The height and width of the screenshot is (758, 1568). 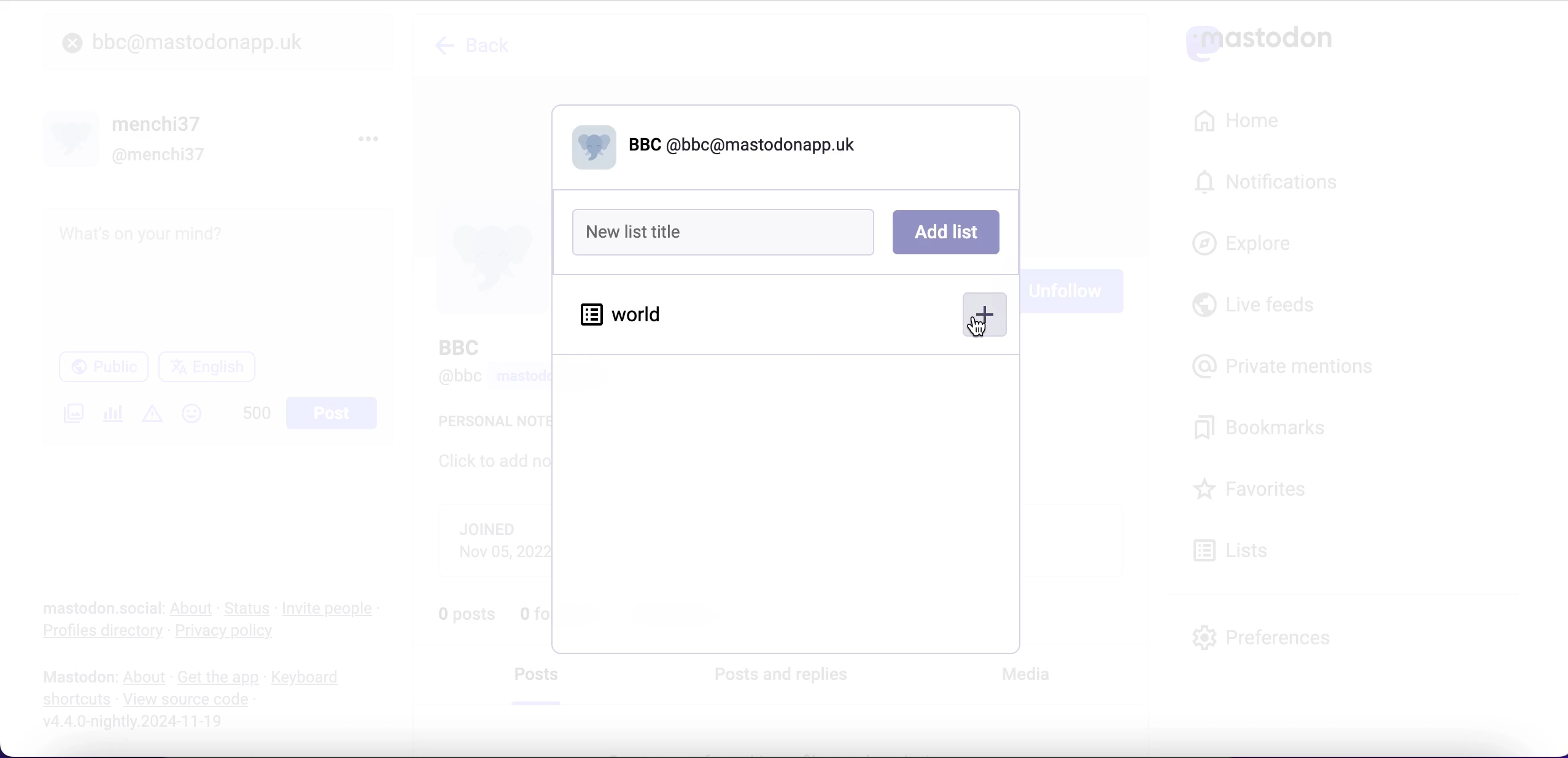 I want to click on privacy policy, so click(x=235, y=633).